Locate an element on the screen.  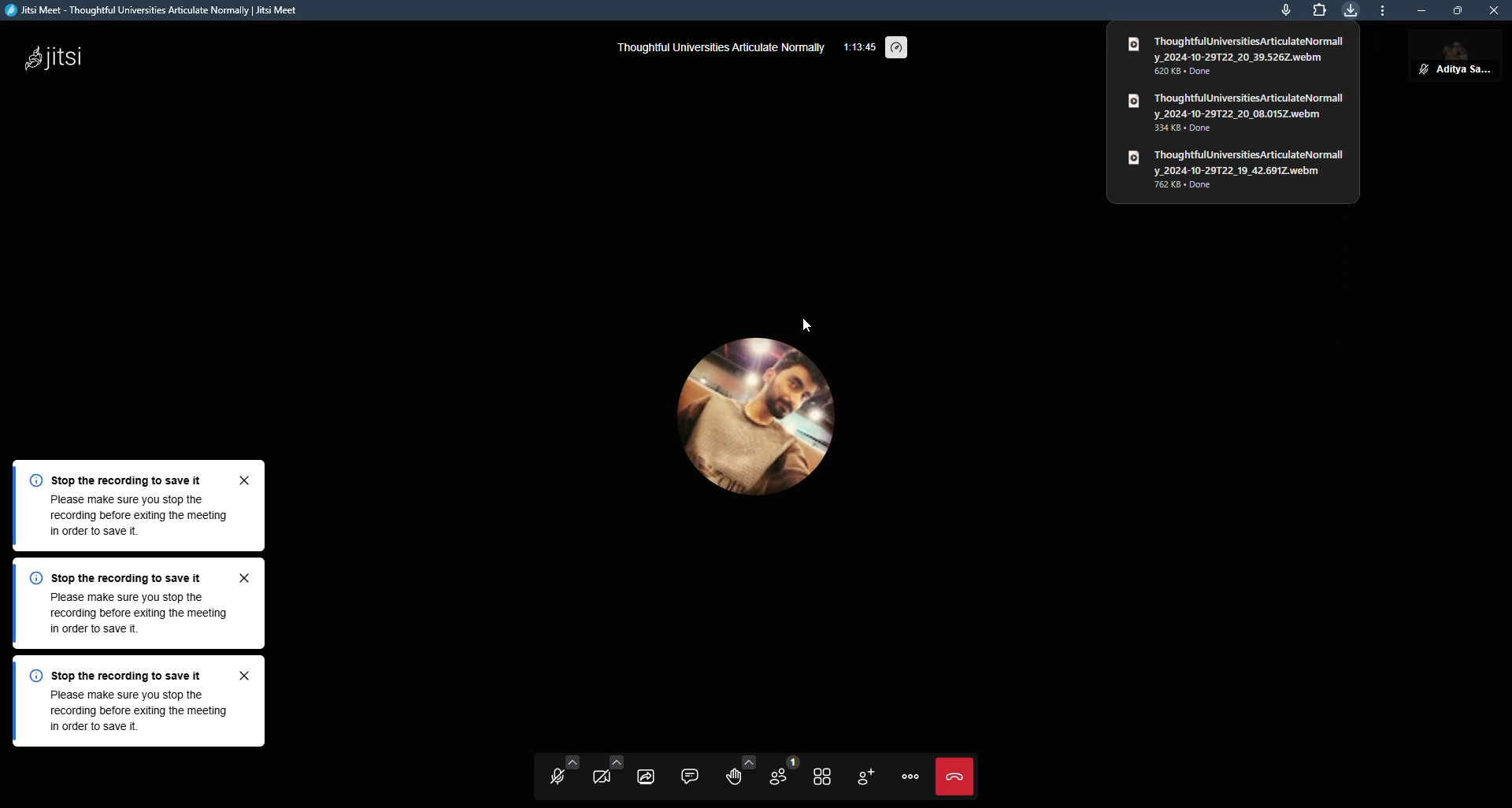
open chat is located at coordinates (686, 774).